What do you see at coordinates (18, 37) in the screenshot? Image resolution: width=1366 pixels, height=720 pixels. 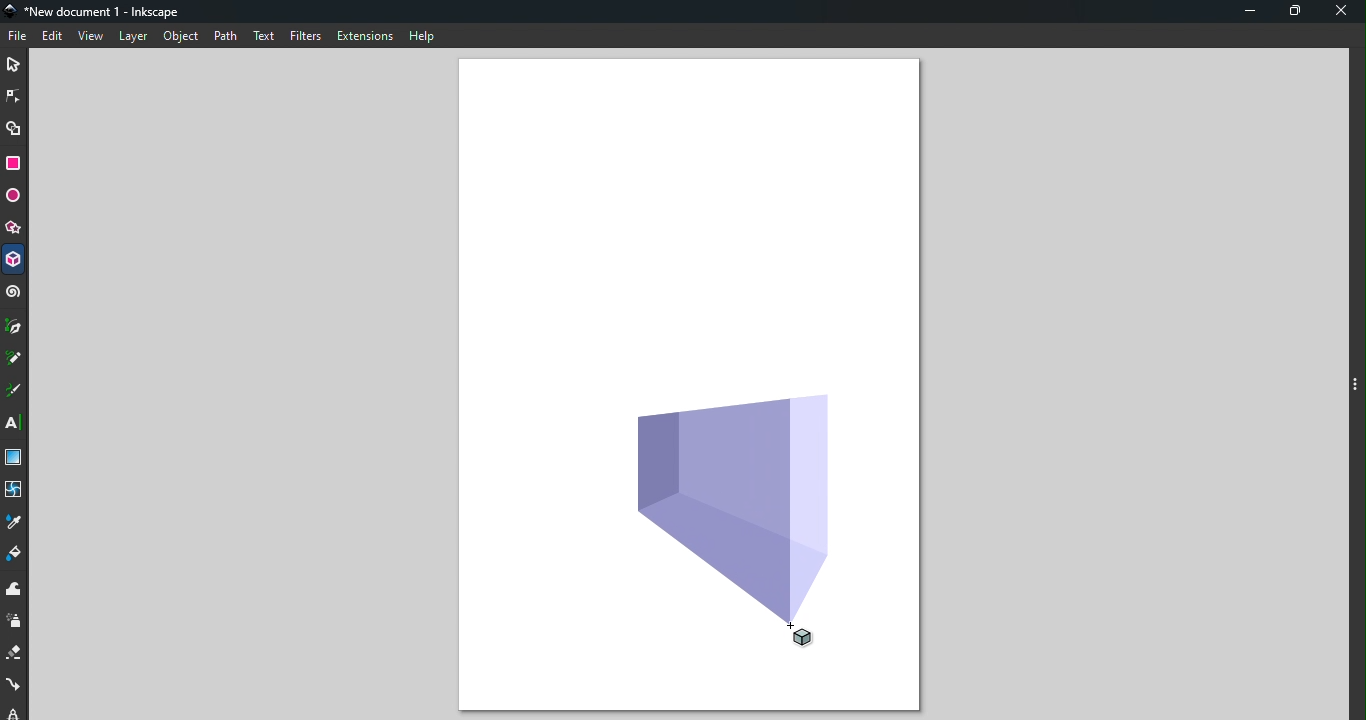 I see `File` at bounding box center [18, 37].